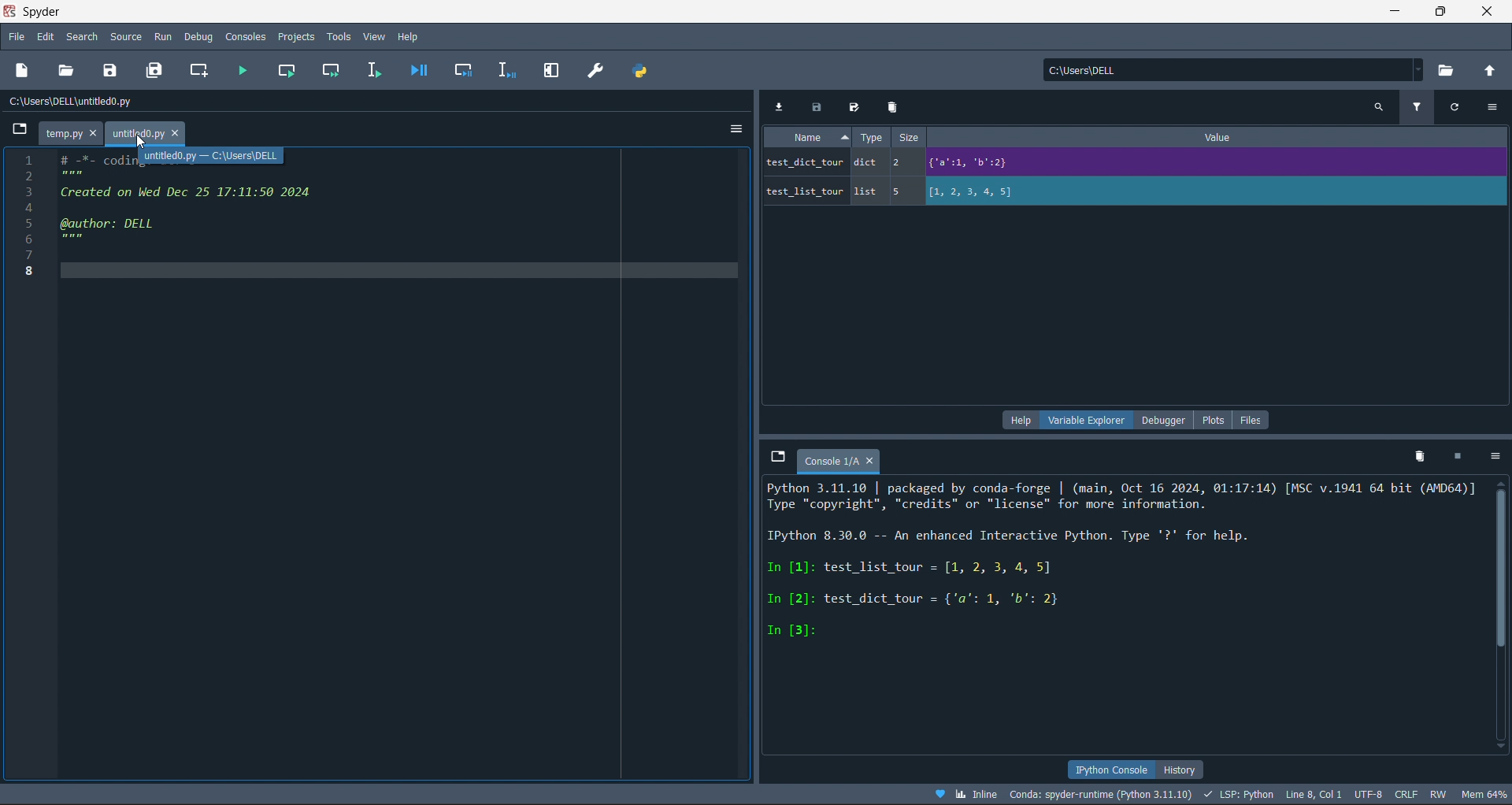 The height and width of the screenshot is (805, 1512). What do you see at coordinates (10, 12) in the screenshot?
I see `spyder logo` at bounding box center [10, 12].